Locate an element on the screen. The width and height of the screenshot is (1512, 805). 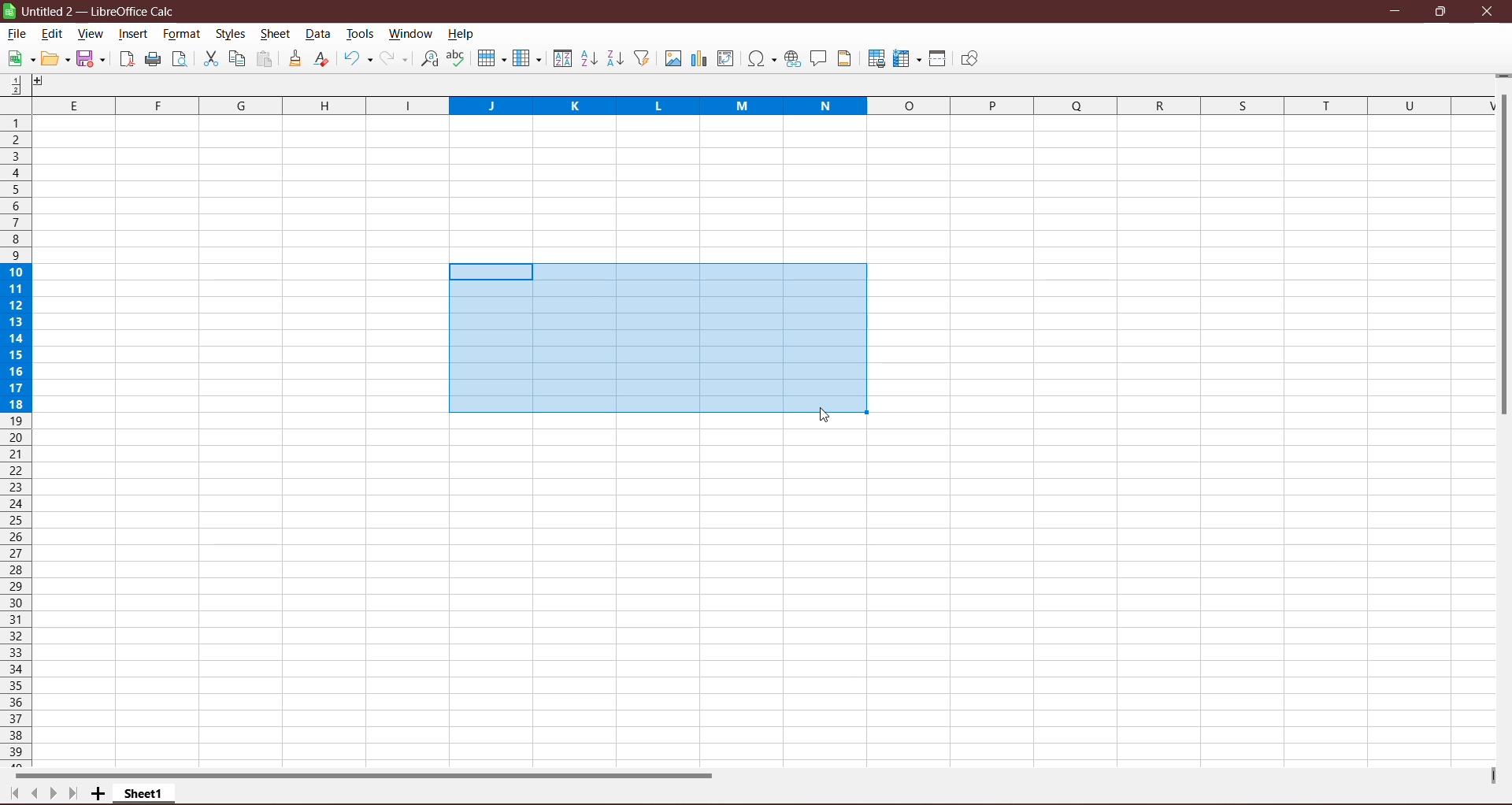
Freeze Rows and Columns is located at coordinates (908, 59).